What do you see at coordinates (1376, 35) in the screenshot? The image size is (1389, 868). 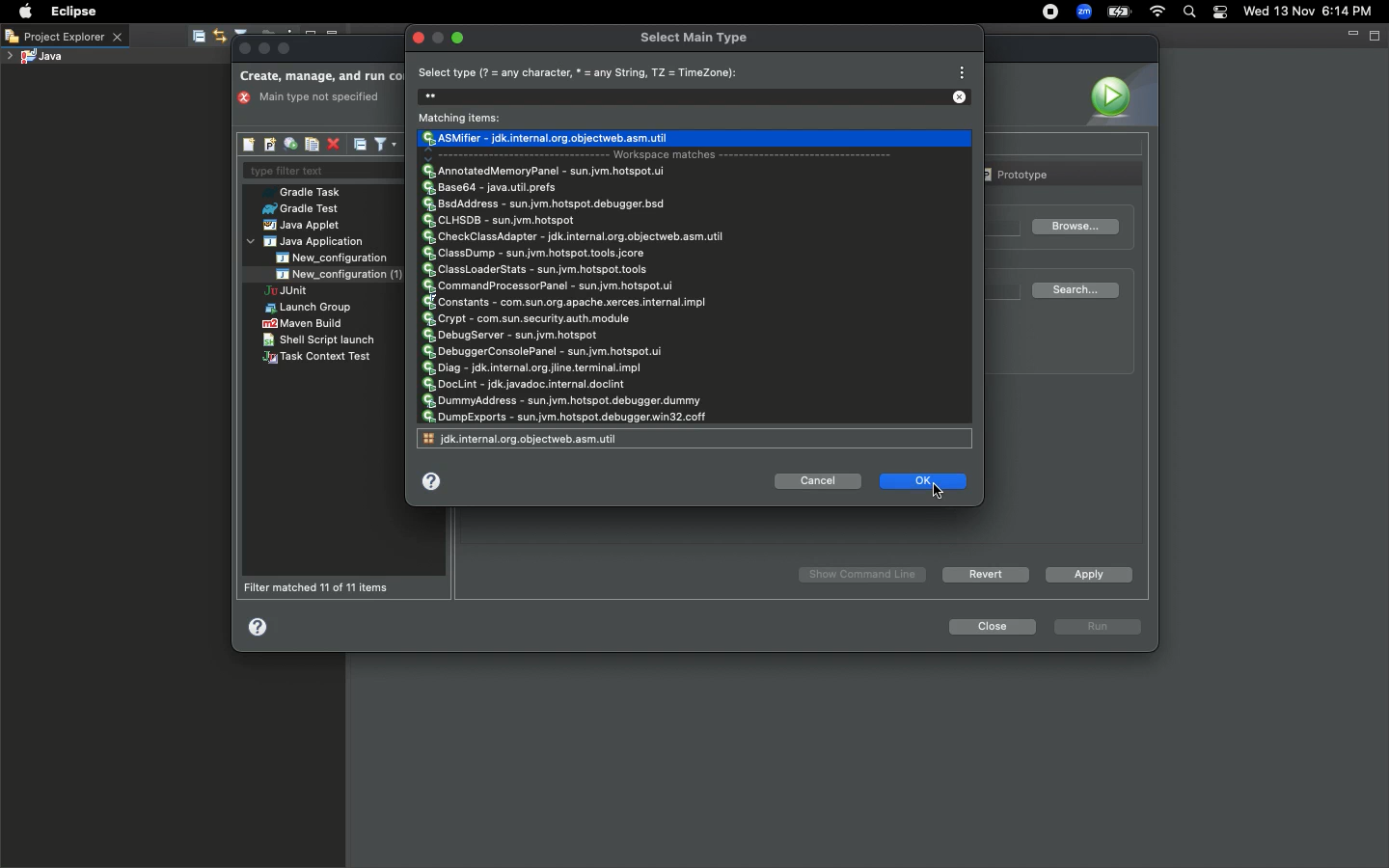 I see `Maximize` at bounding box center [1376, 35].